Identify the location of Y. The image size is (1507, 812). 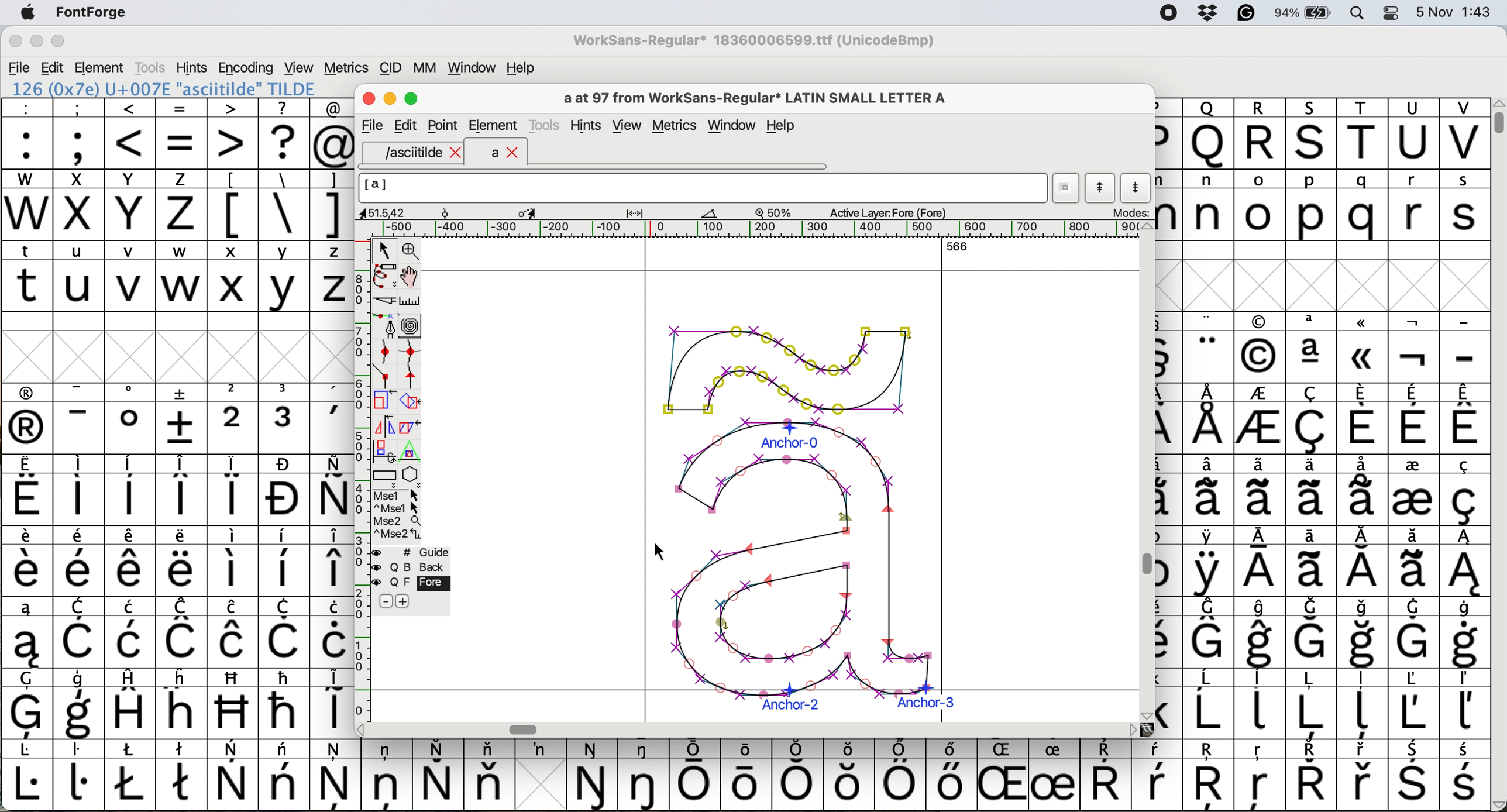
(132, 205).